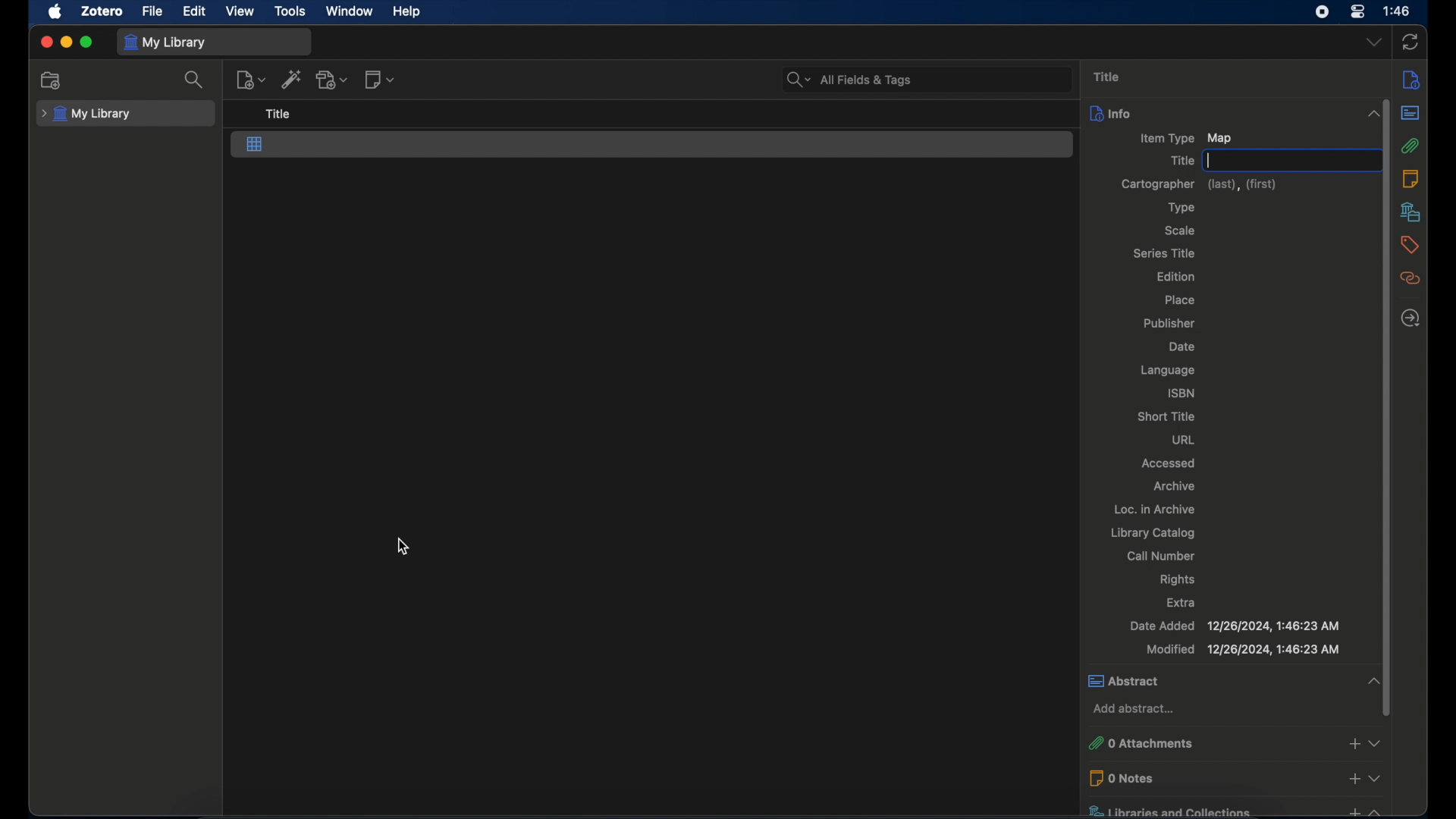 The width and height of the screenshot is (1456, 819). What do you see at coordinates (292, 79) in the screenshot?
I see `add item by identifier` at bounding box center [292, 79].